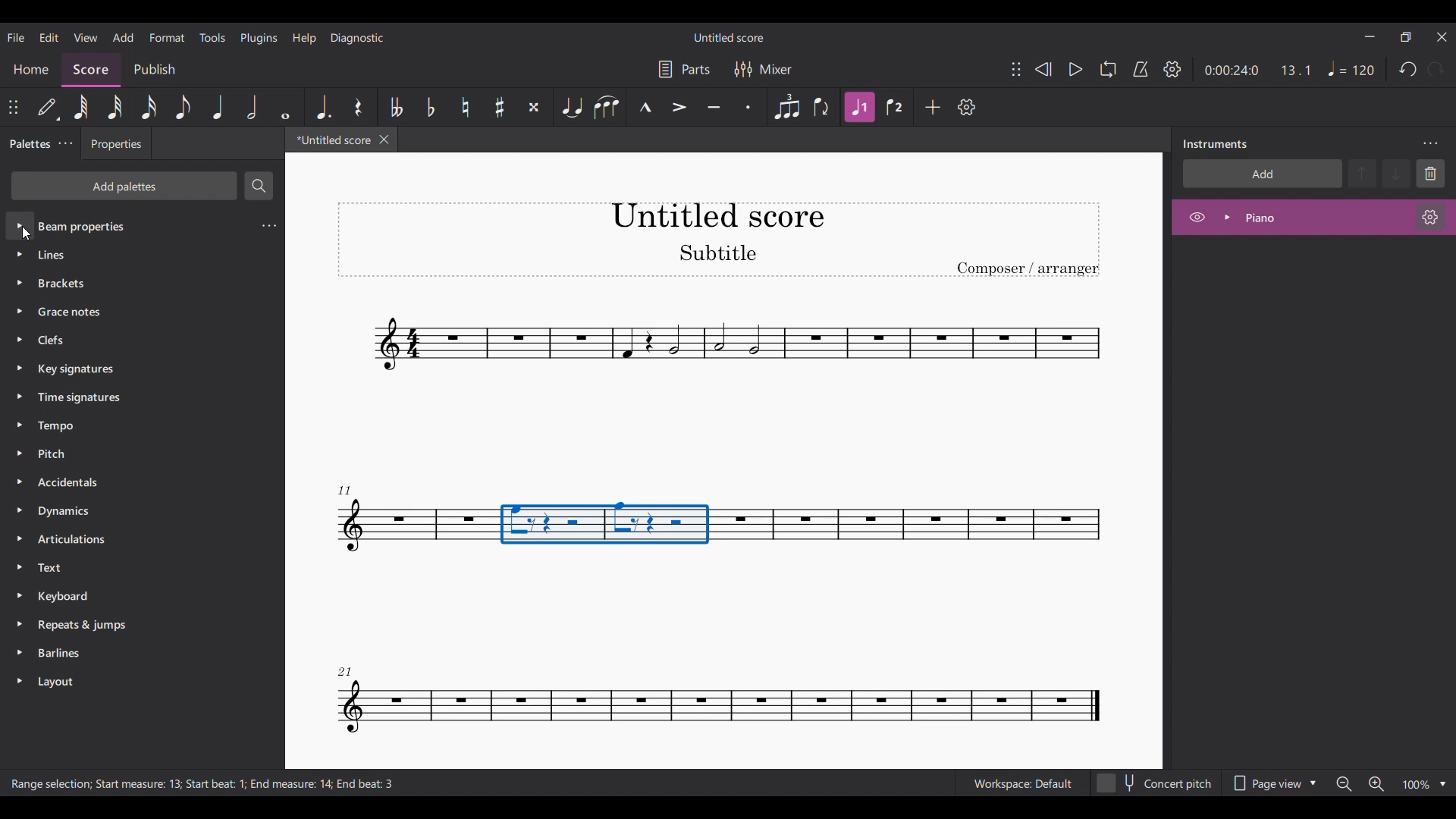  I want to click on Close tab, so click(384, 140).